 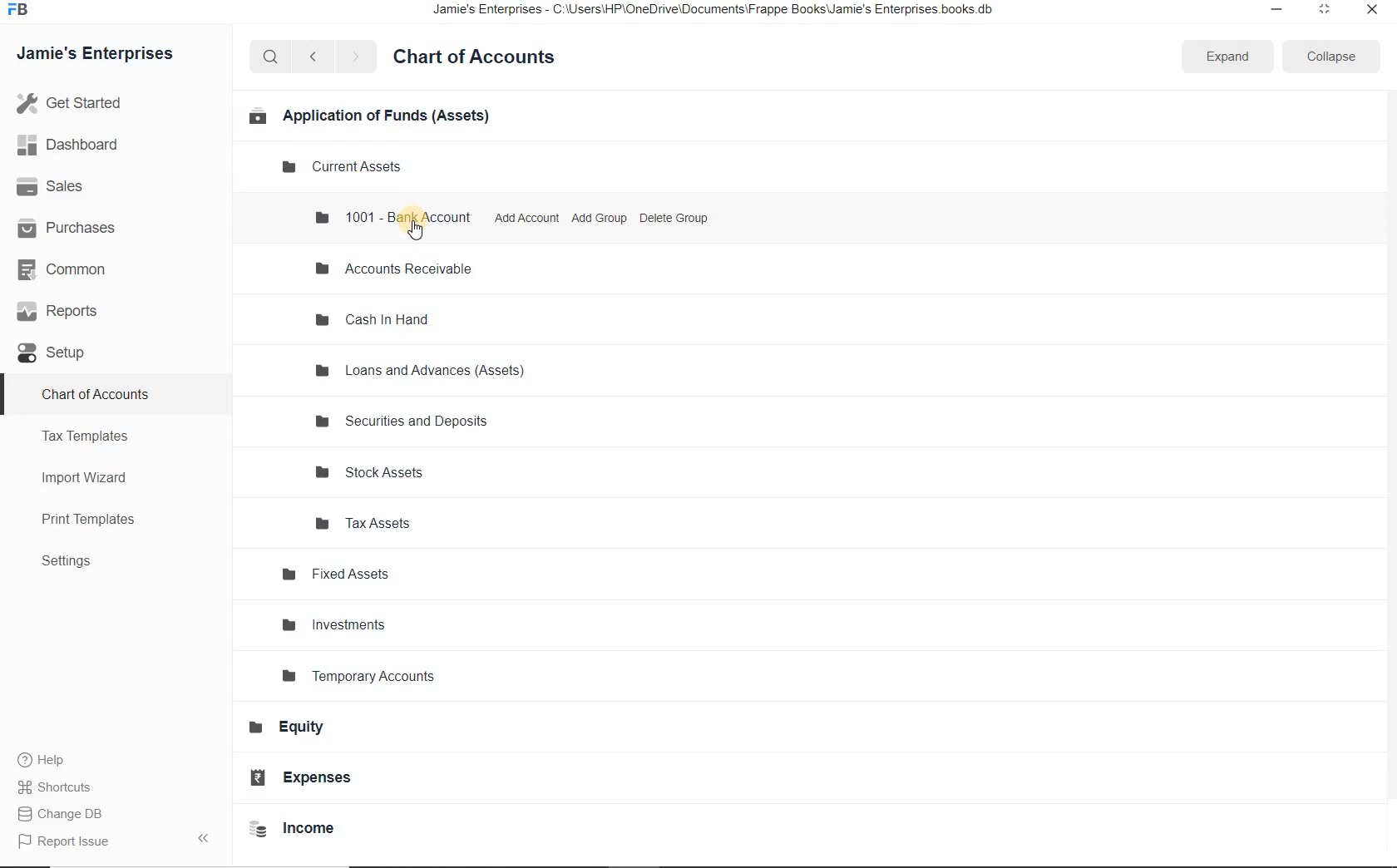 I want to click on Delete Group, so click(x=674, y=217).